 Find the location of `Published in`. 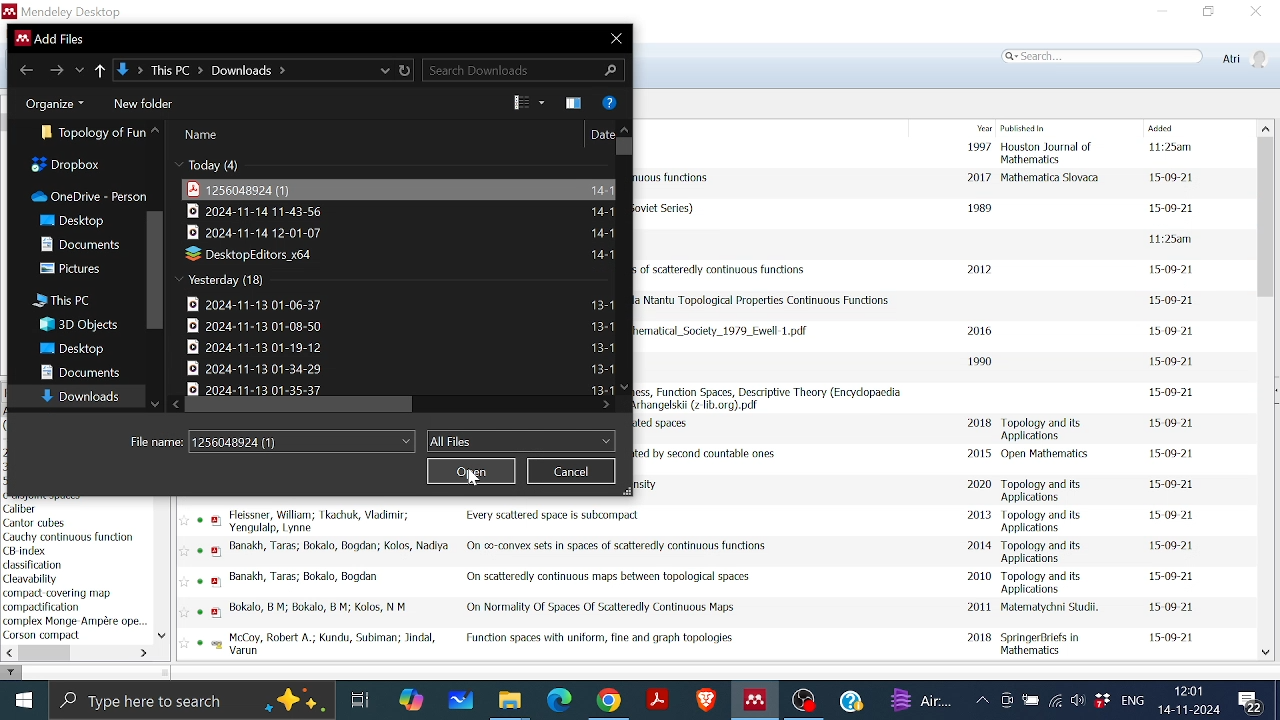

Published in is located at coordinates (1044, 153).